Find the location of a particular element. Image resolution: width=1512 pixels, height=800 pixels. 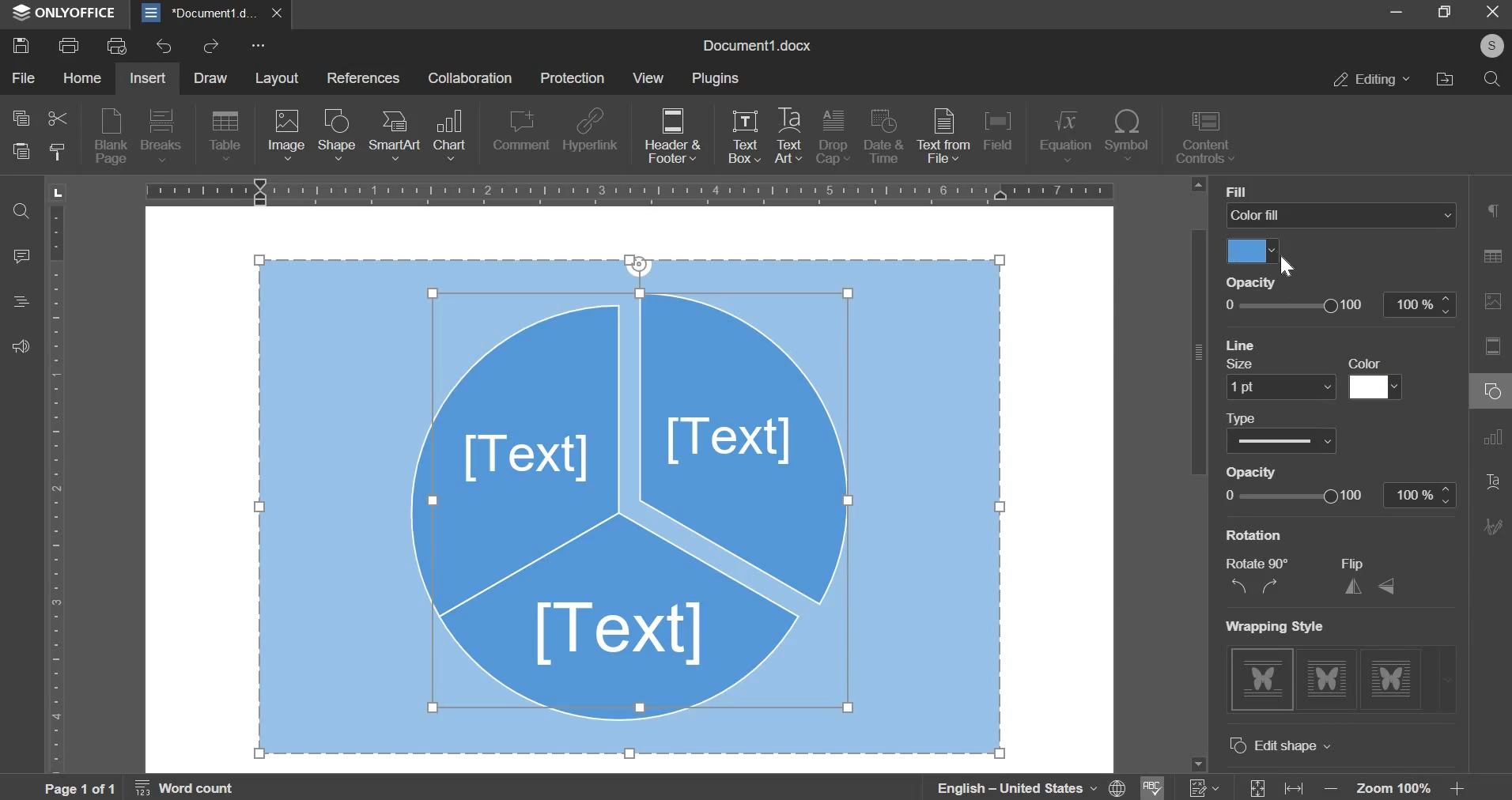

 is located at coordinates (1245, 345).